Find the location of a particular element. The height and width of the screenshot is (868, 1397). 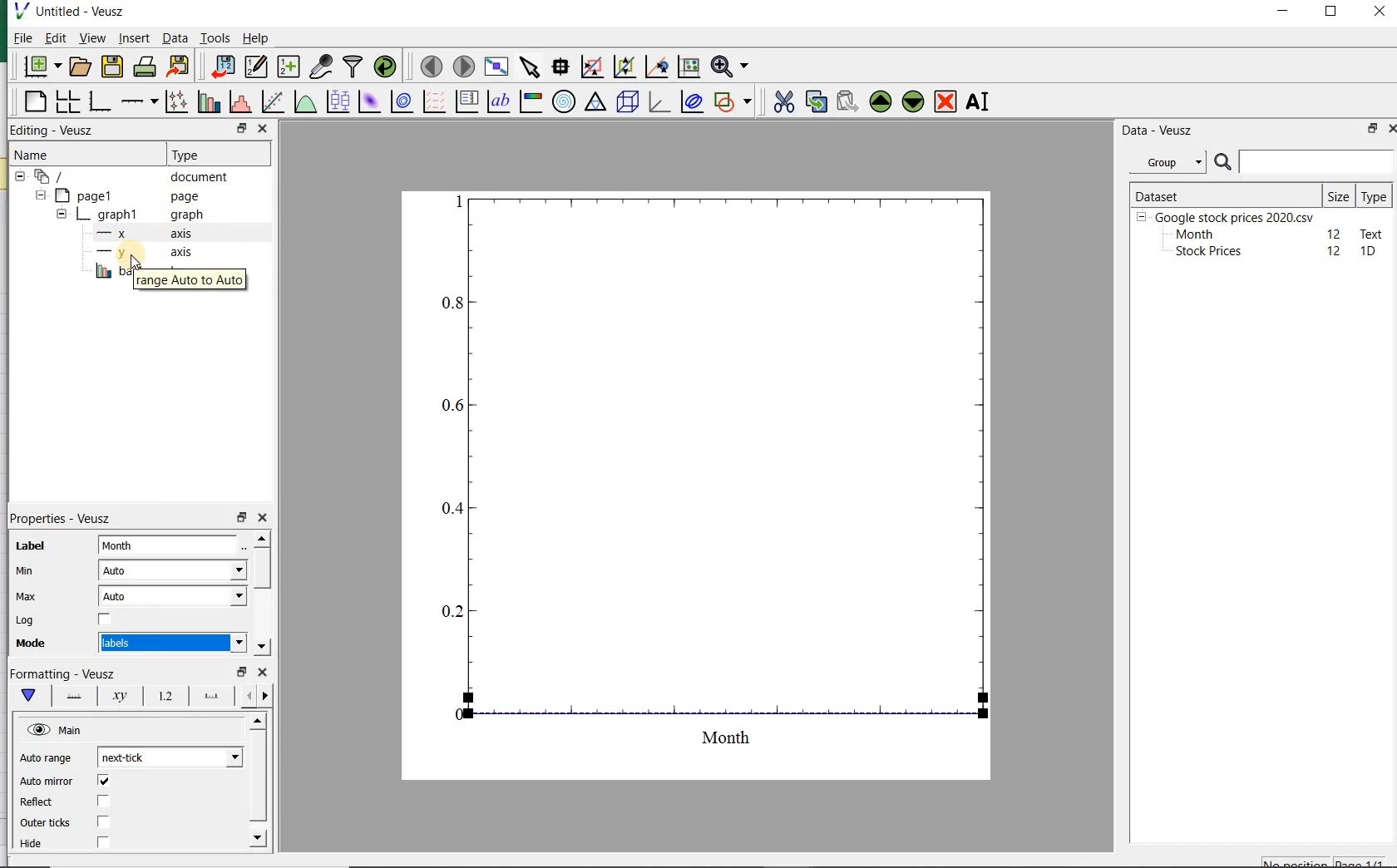

plot key is located at coordinates (466, 103).